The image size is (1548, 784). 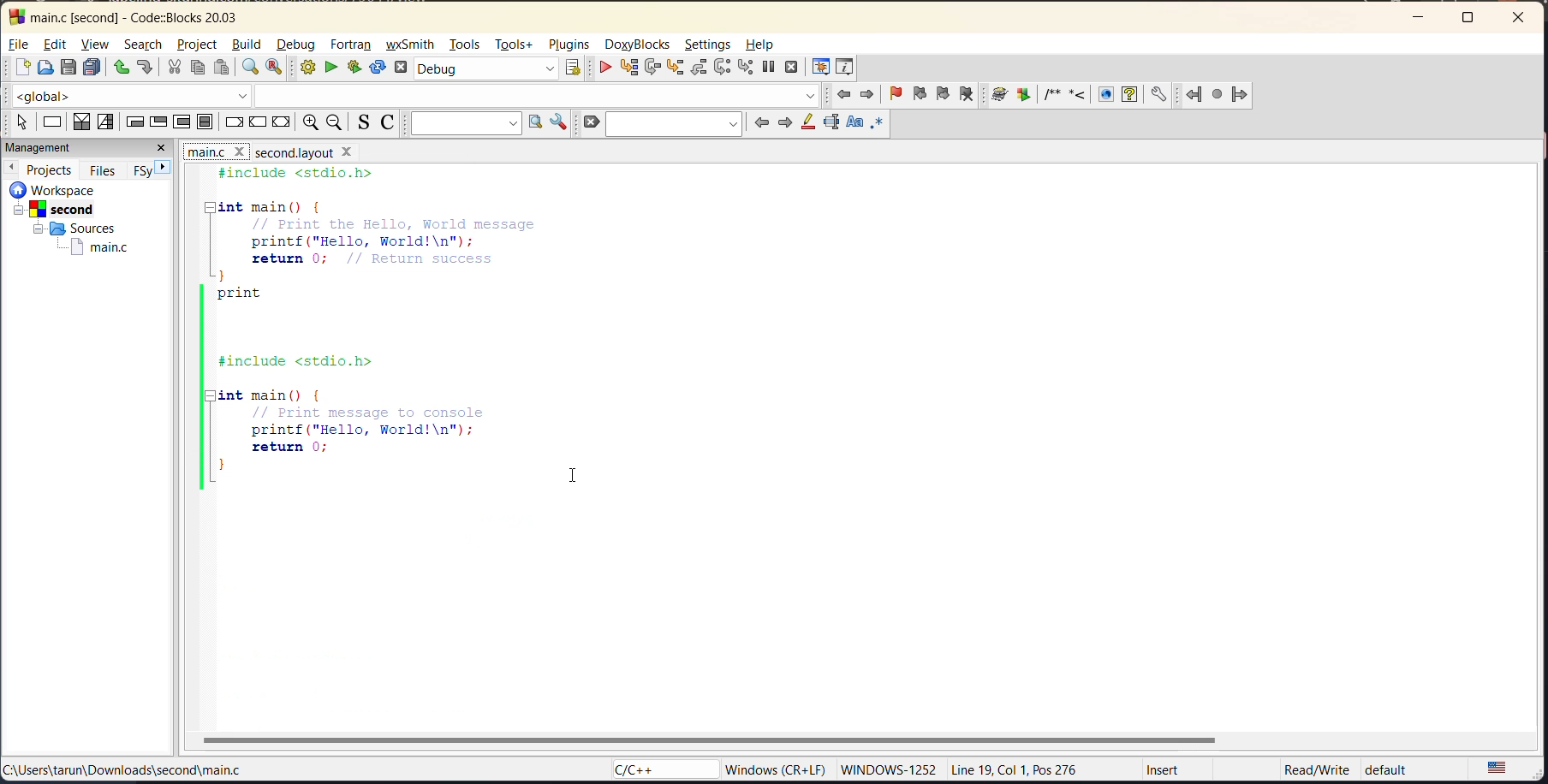 I want to click on Insert, so click(x=1164, y=771).